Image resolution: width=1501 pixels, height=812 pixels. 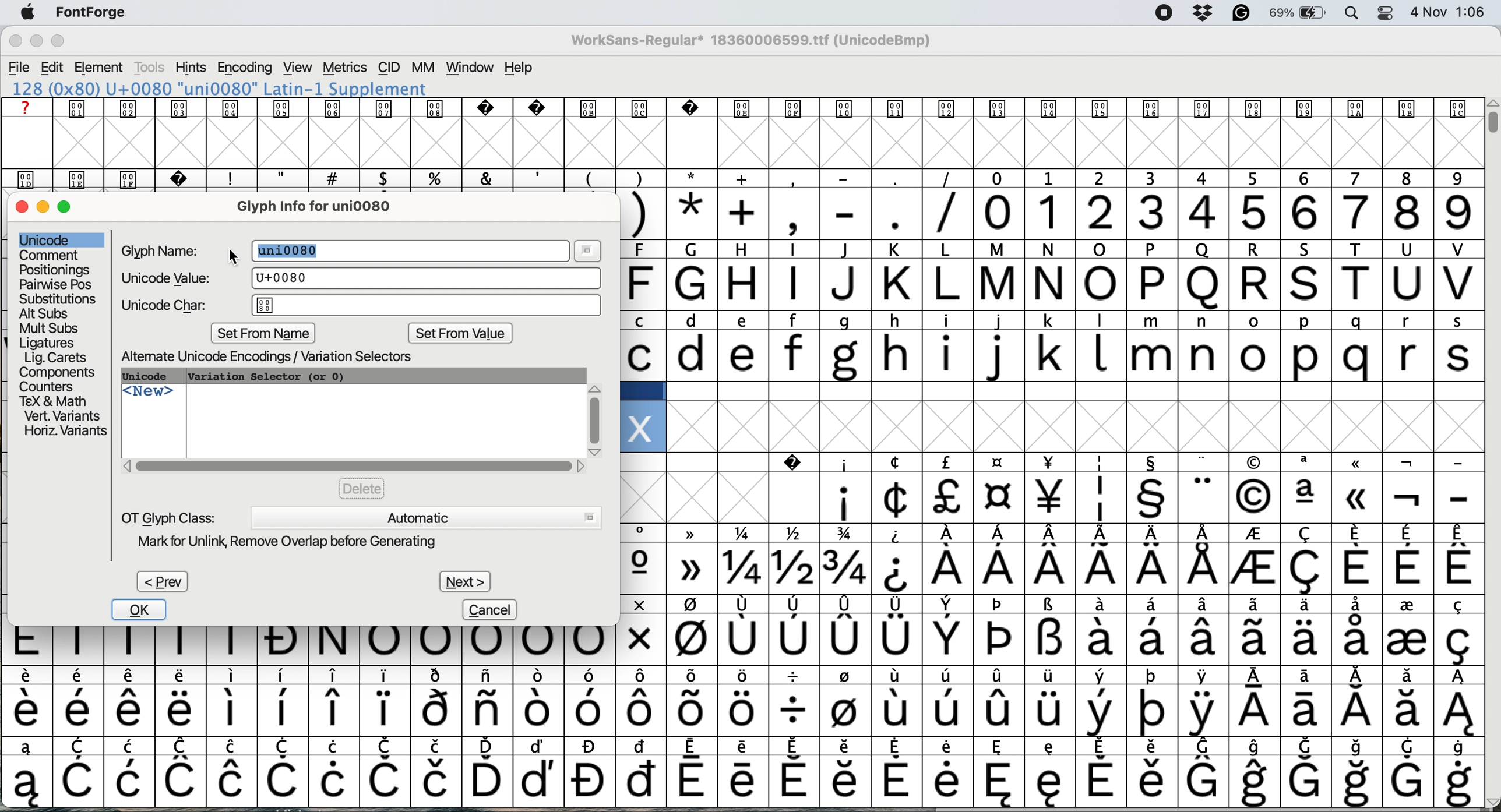 I want to click on special characters, so click(x=1056, y=498).